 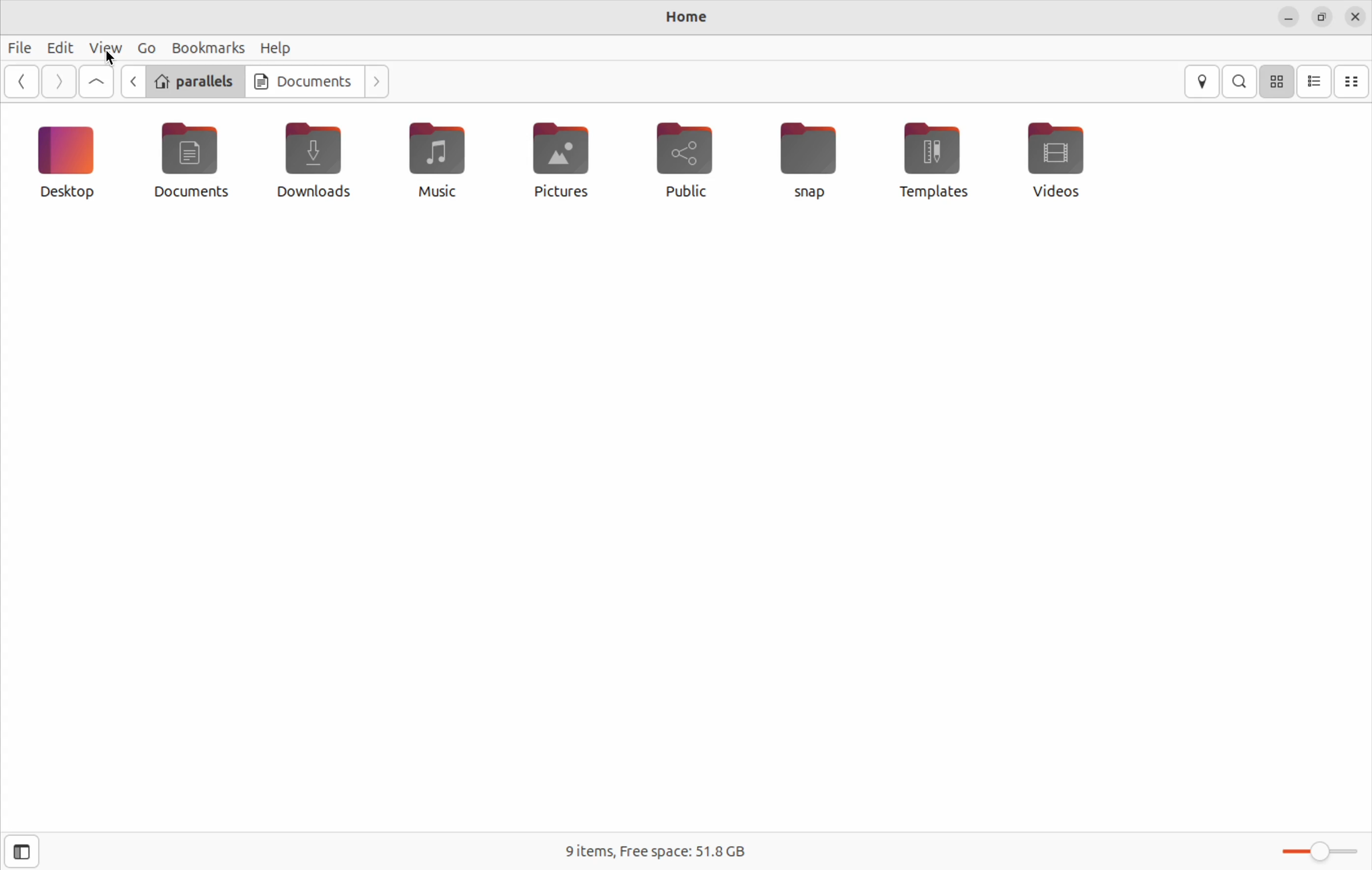 I want to click on locations, so click(x=1201, y=81).